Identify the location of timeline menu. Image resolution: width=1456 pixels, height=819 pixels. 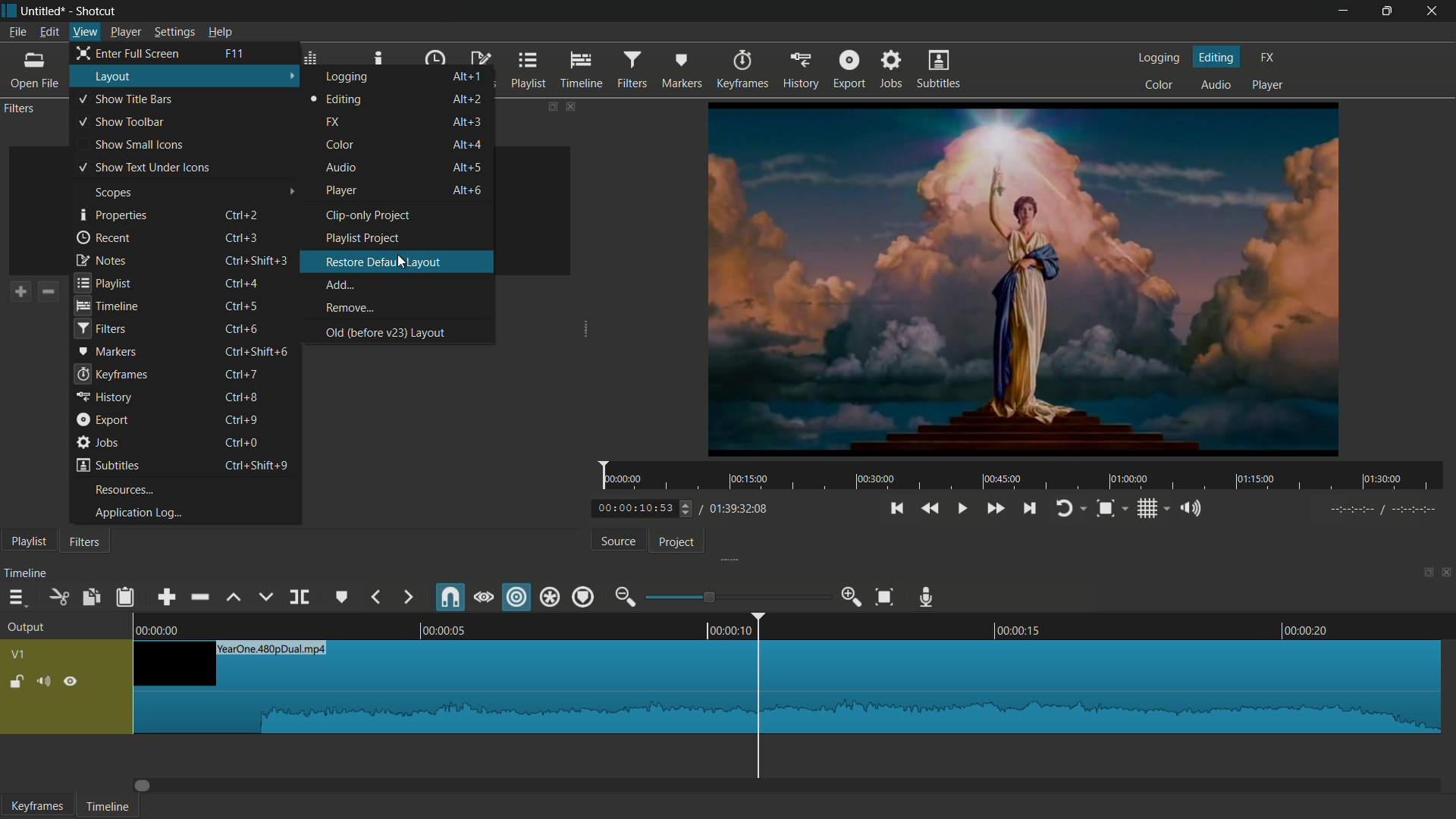
(15, 598).